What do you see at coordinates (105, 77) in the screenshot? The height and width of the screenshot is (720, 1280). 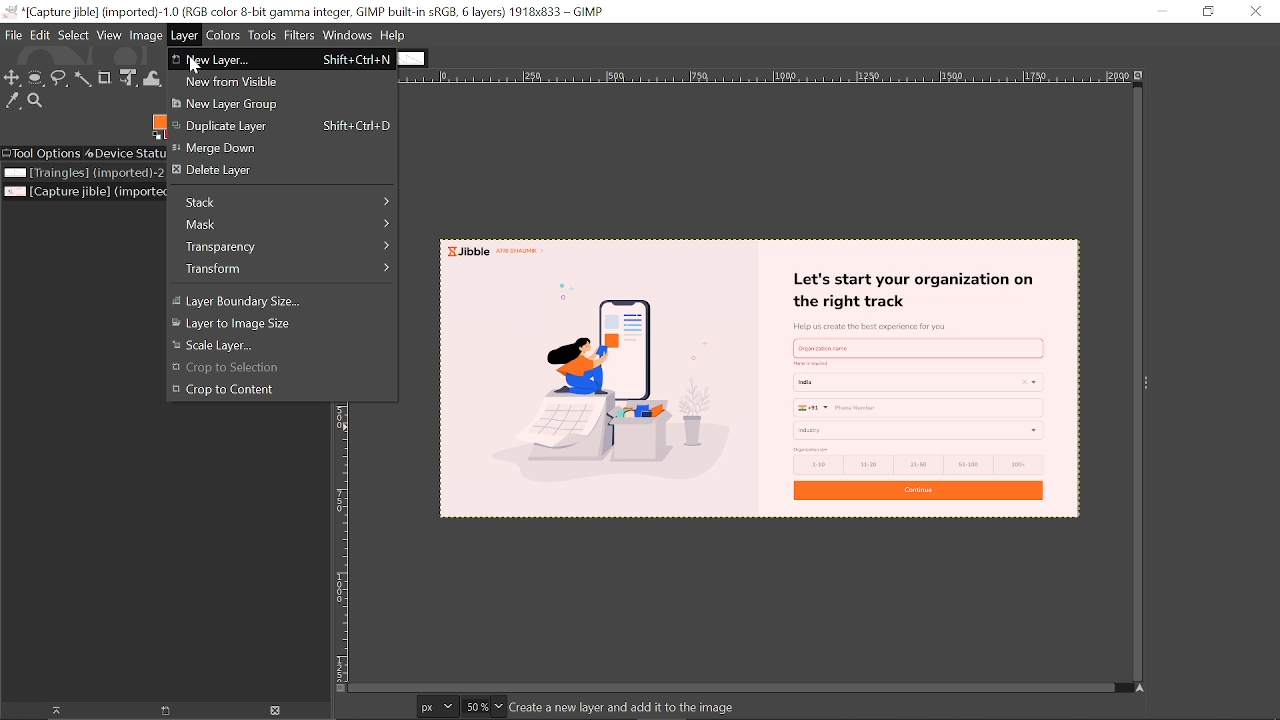 I see `Crop text` at bounding box center [105, 77].